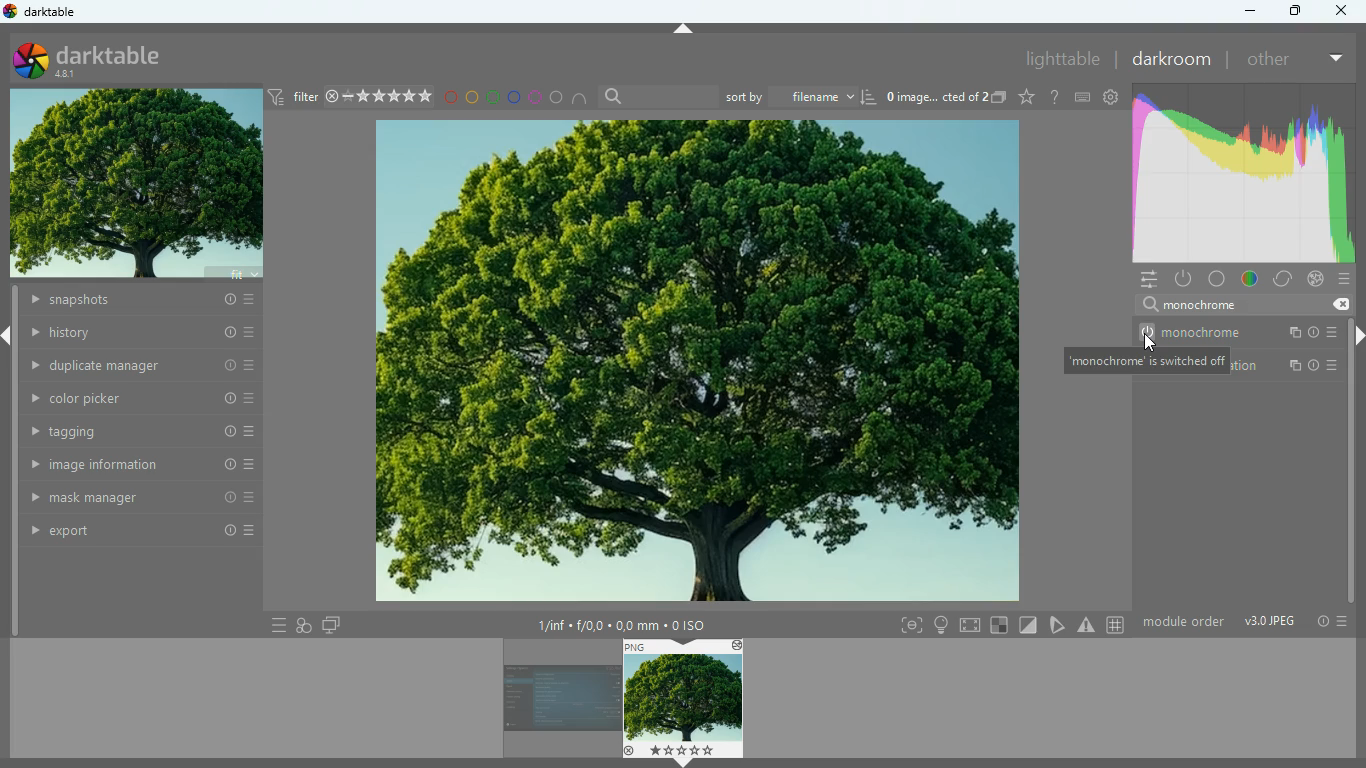 This screenshot has width=1366, height=768. I want to click on image information, so click(143, 465).